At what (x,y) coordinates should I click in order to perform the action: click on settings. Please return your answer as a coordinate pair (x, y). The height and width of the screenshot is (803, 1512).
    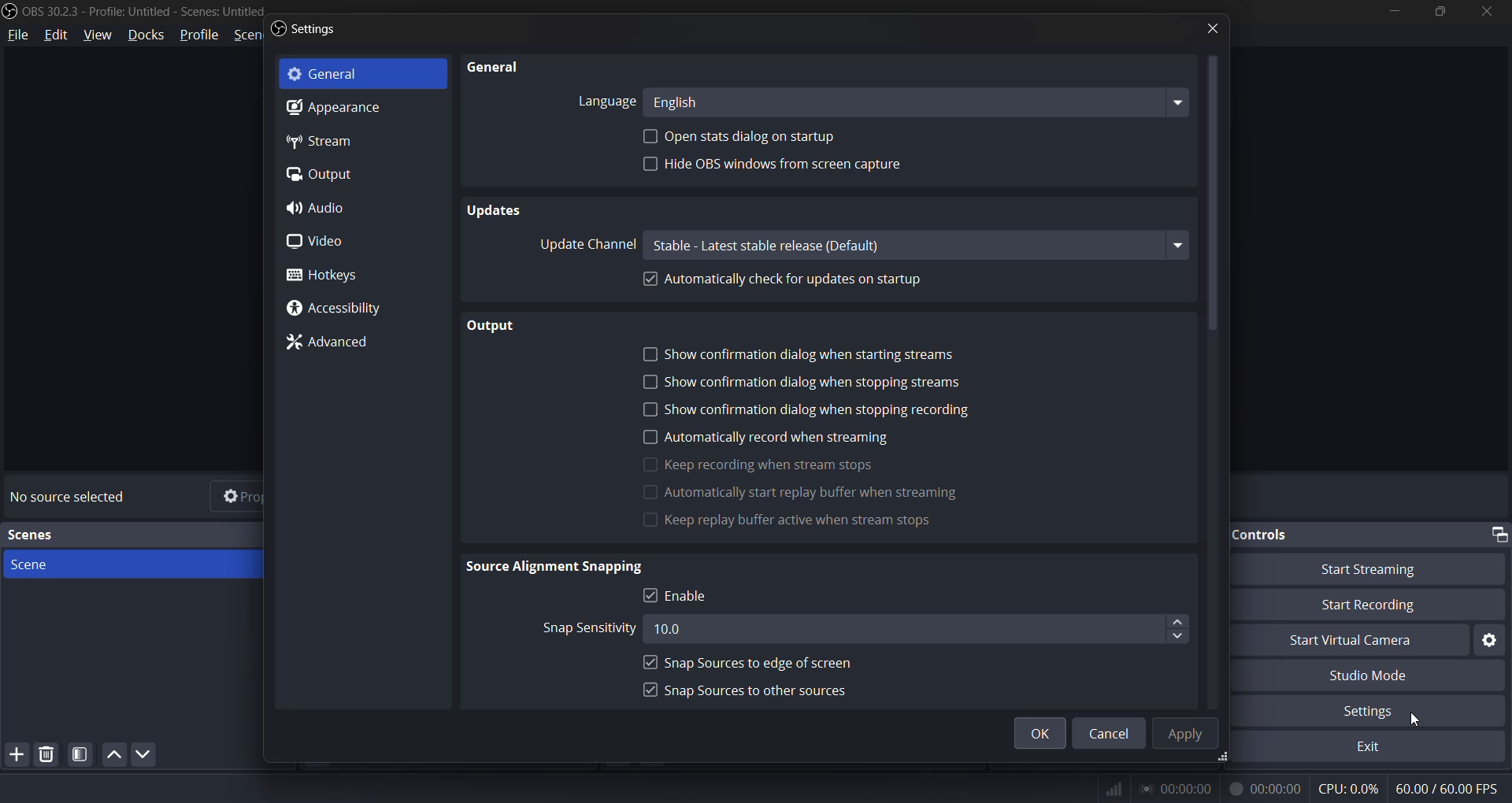
    Looking at the image, I should click on (315, 31).